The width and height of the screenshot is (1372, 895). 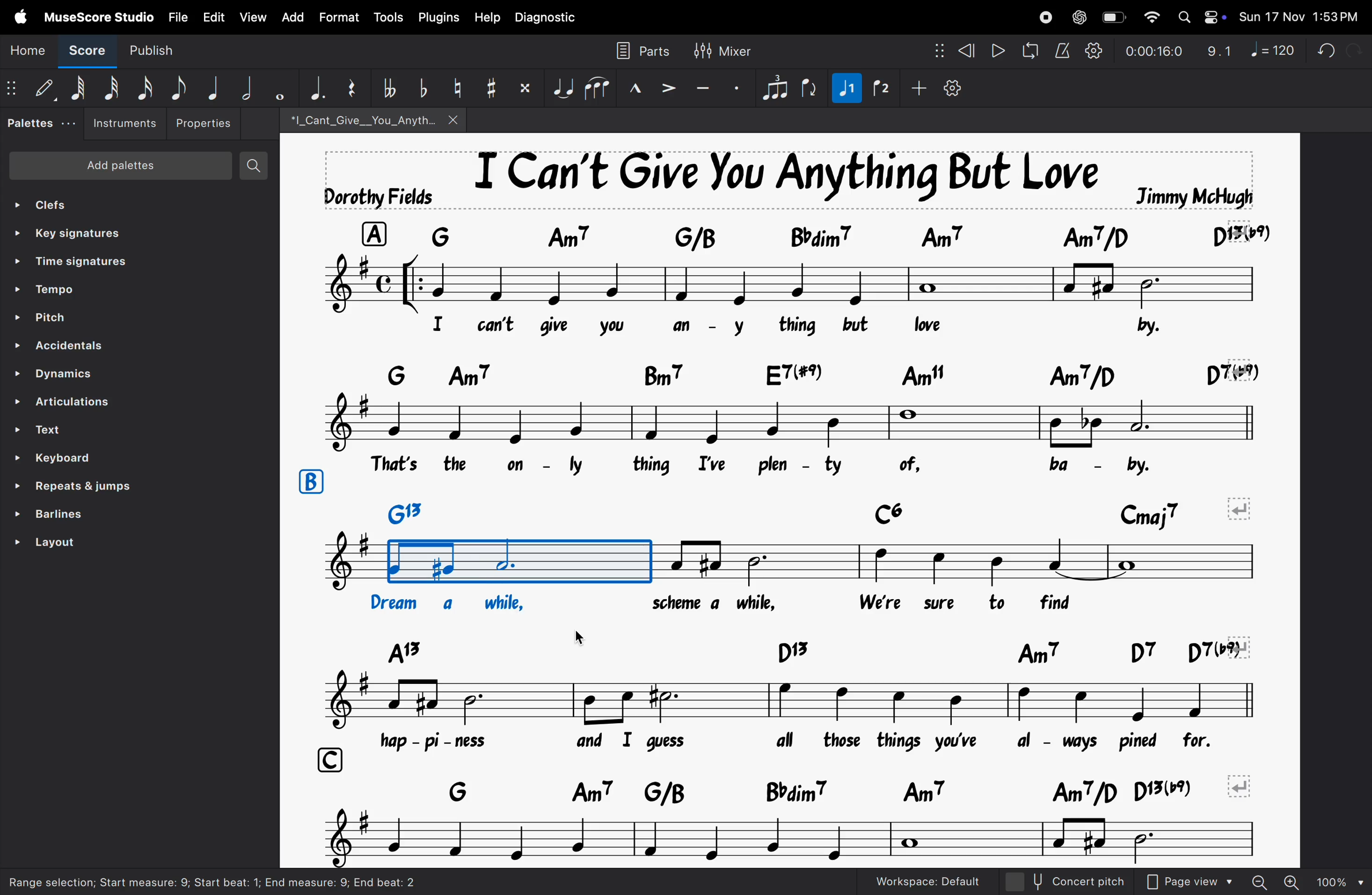 I want to click on wifi, so click(x=1149, y=17).